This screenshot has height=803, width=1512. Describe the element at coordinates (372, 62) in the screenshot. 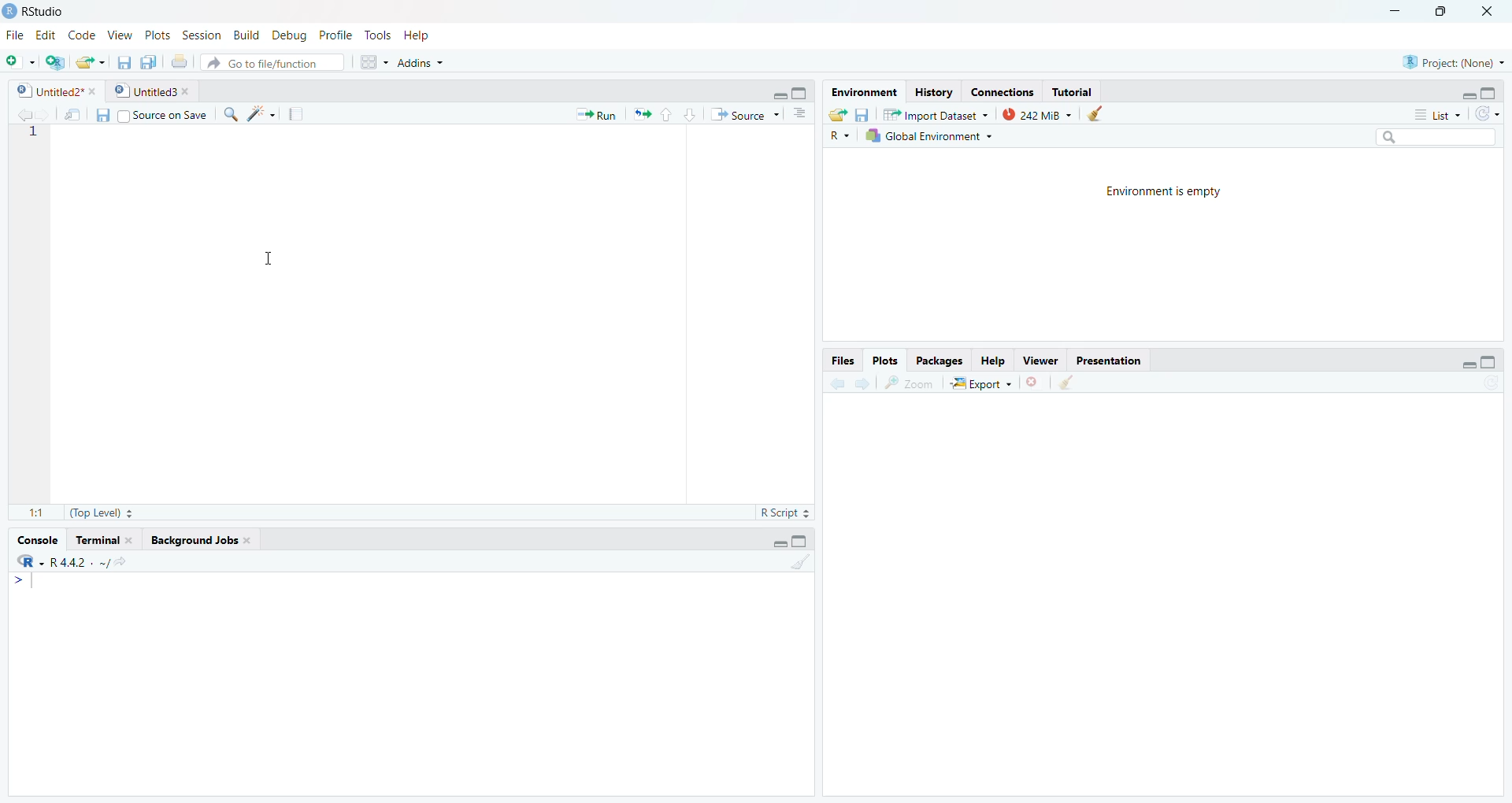

I see `works space panes` at that location.